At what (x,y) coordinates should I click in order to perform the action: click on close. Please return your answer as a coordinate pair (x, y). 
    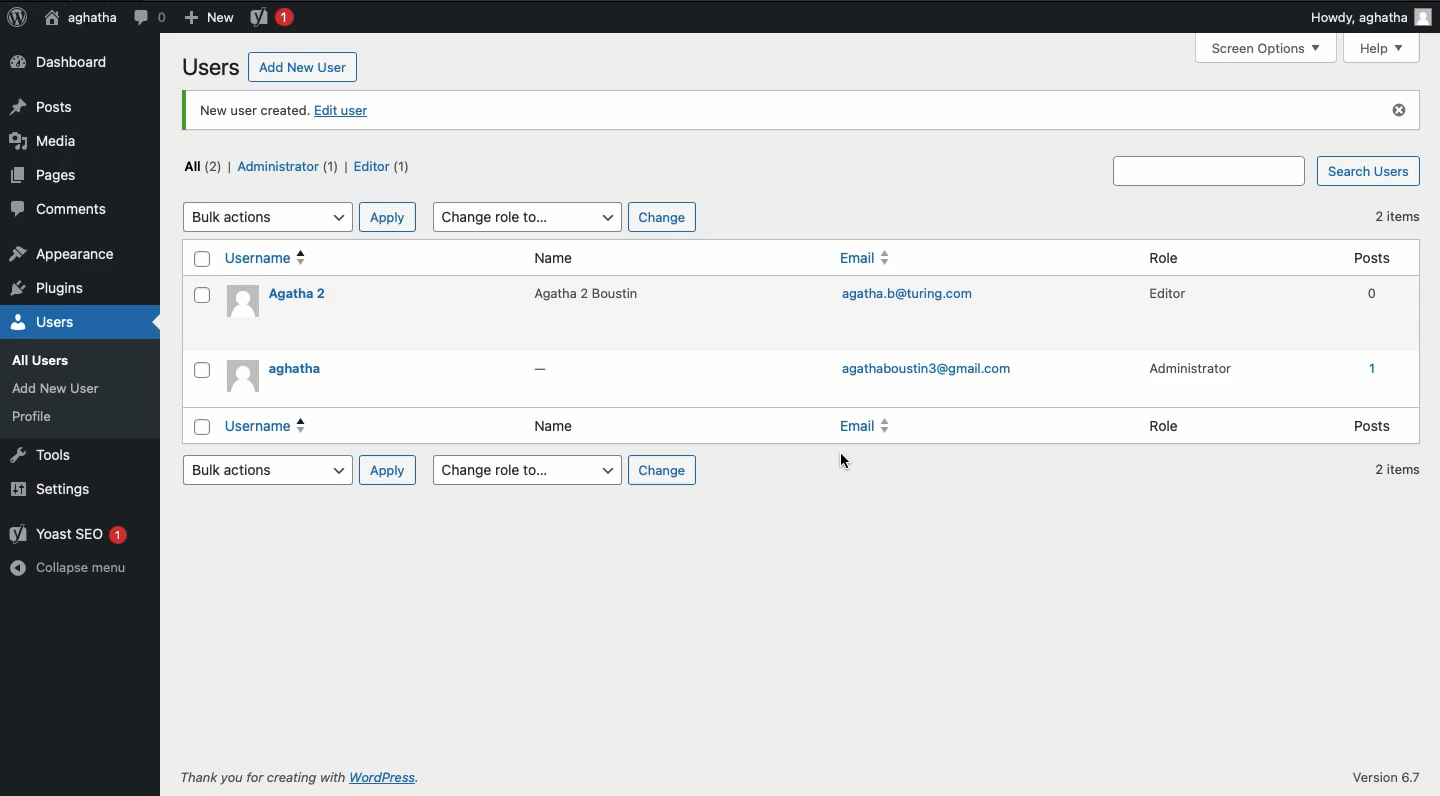
    Looking at the image, I should click on (1397, 111).